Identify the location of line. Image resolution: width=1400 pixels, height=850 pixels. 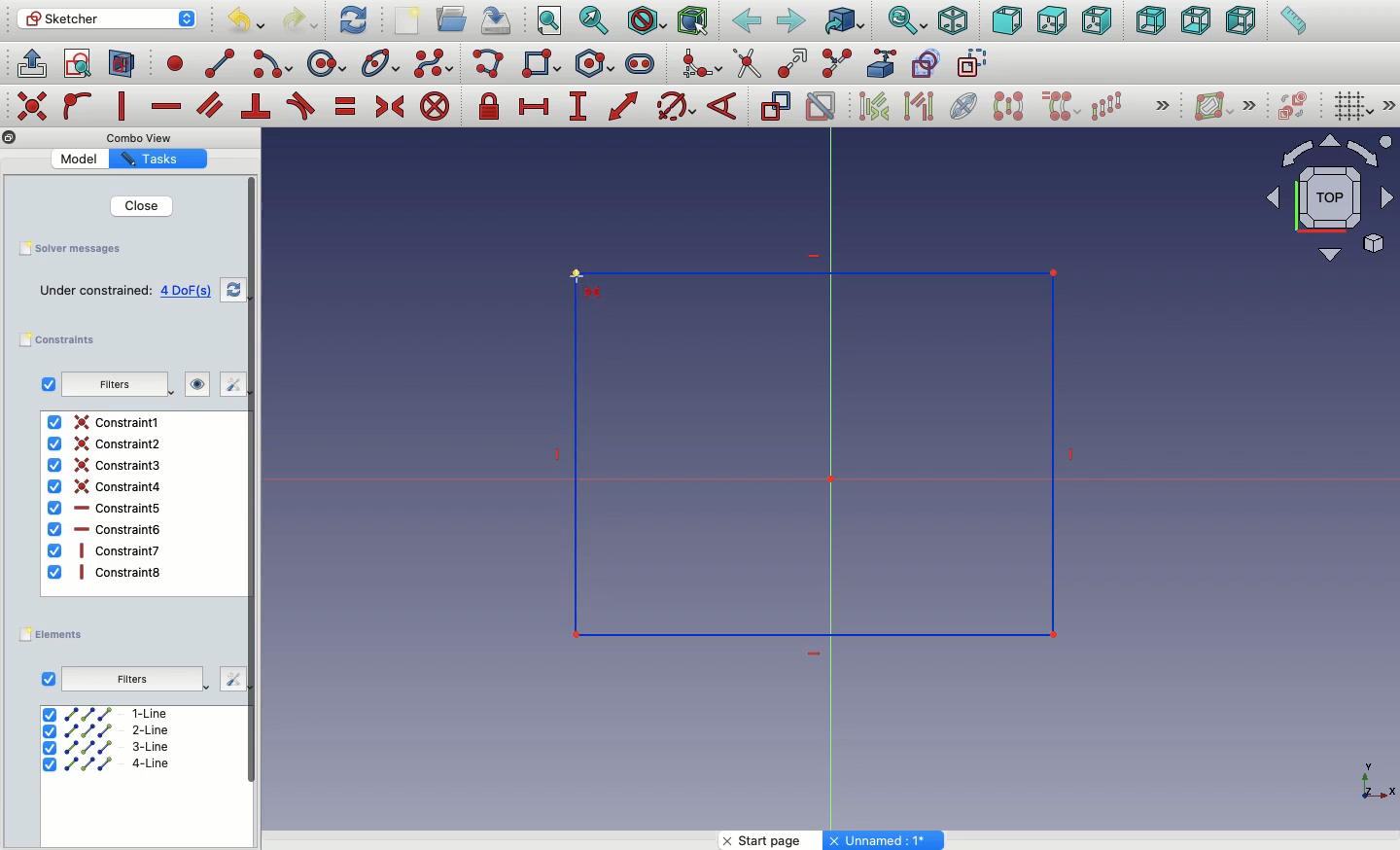
(221, 63).